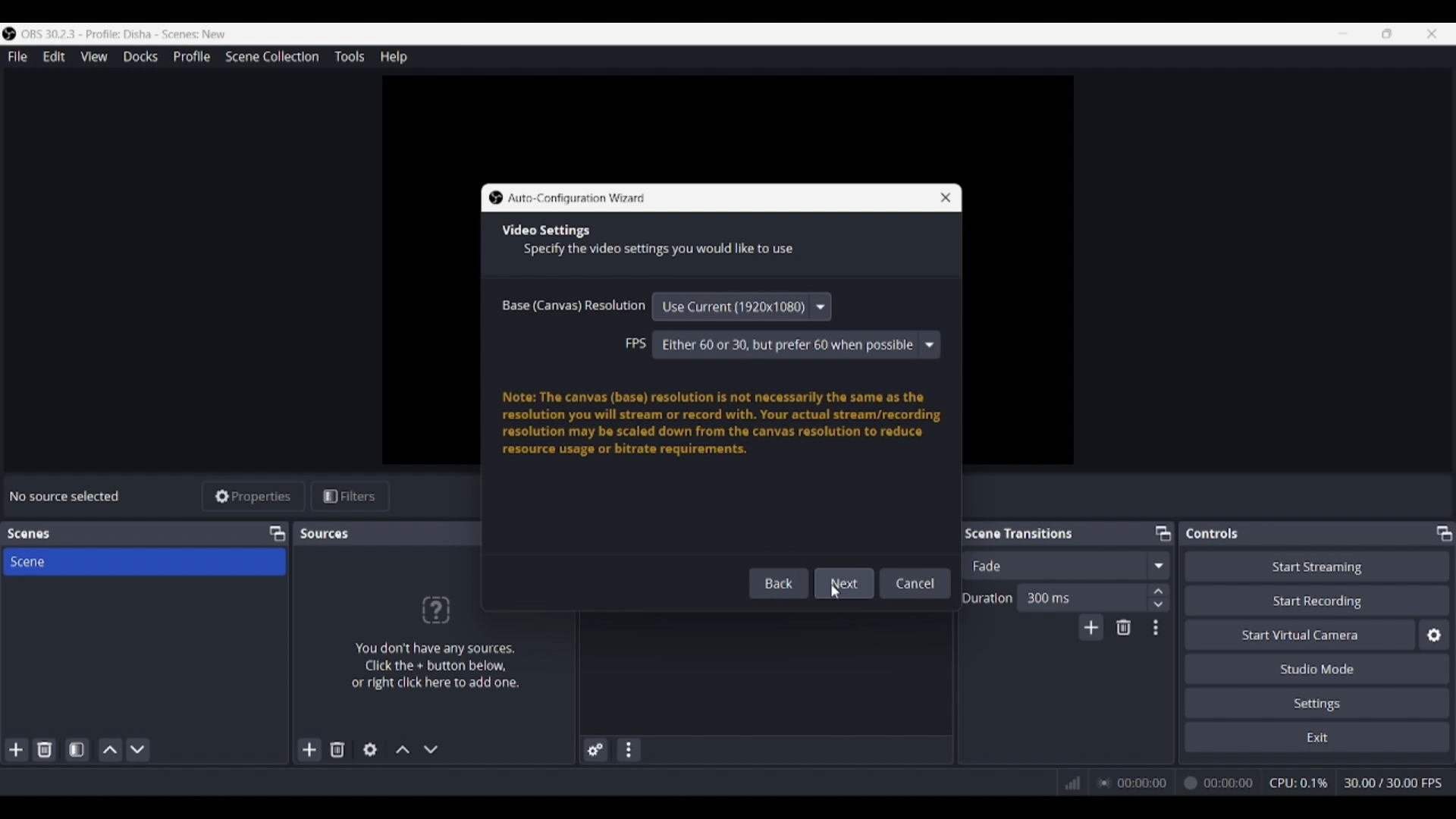 The image size is (1456, 819). Describe the element at coordinates (838, 583) in the screenshot. I see `Next` at that location.